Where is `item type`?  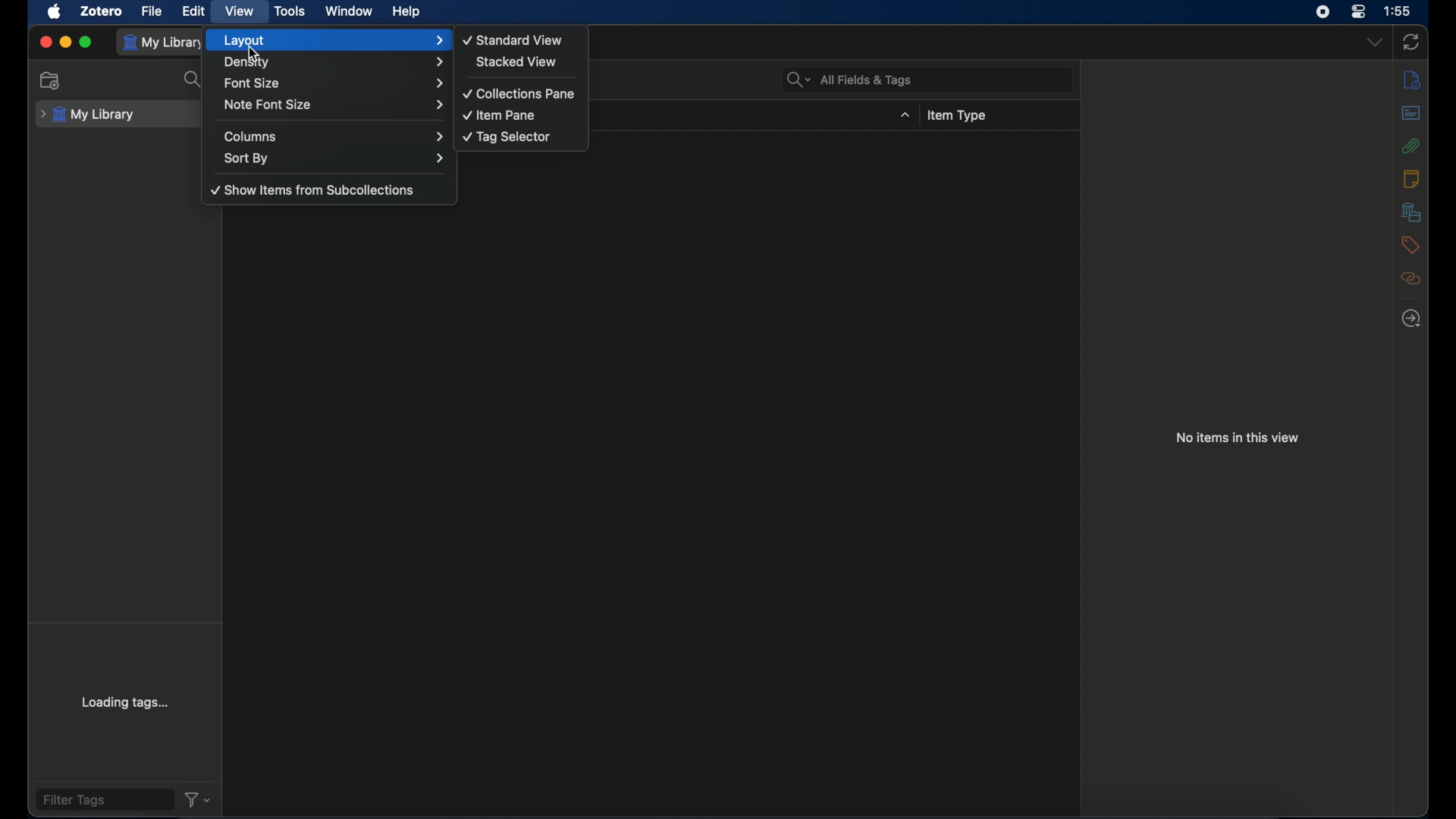
item type is located at coordinates (956, 116).